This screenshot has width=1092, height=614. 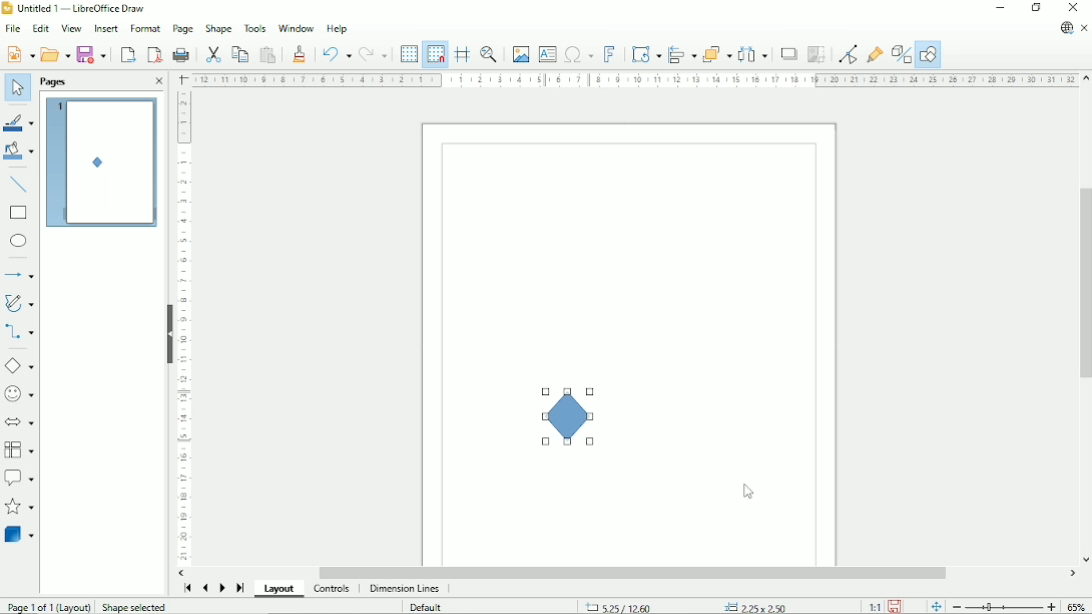 I want to click on Zoom out/in, so click(x=1003, y=606).